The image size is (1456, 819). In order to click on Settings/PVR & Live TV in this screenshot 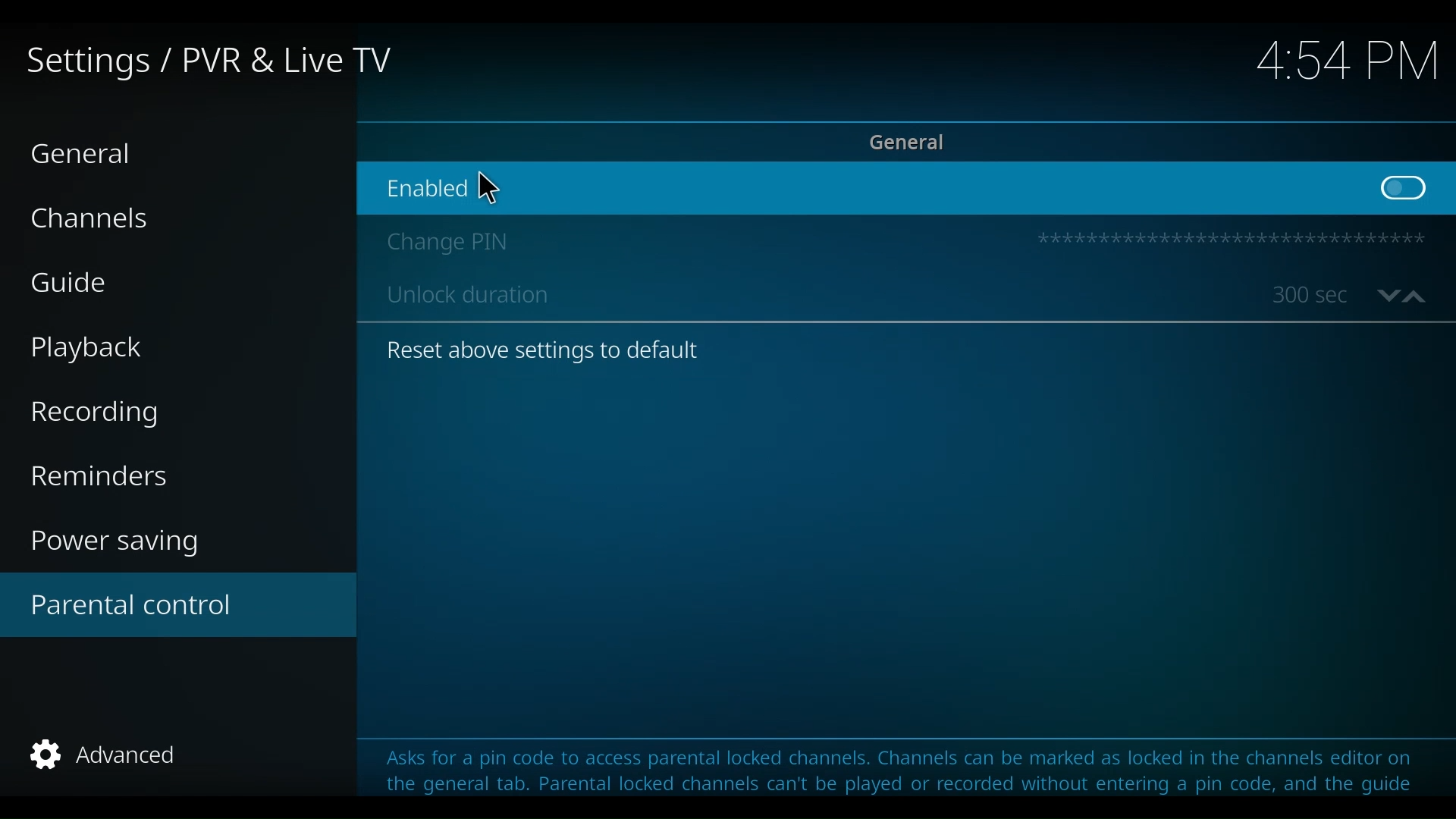, I will do `click(208, 62)`.